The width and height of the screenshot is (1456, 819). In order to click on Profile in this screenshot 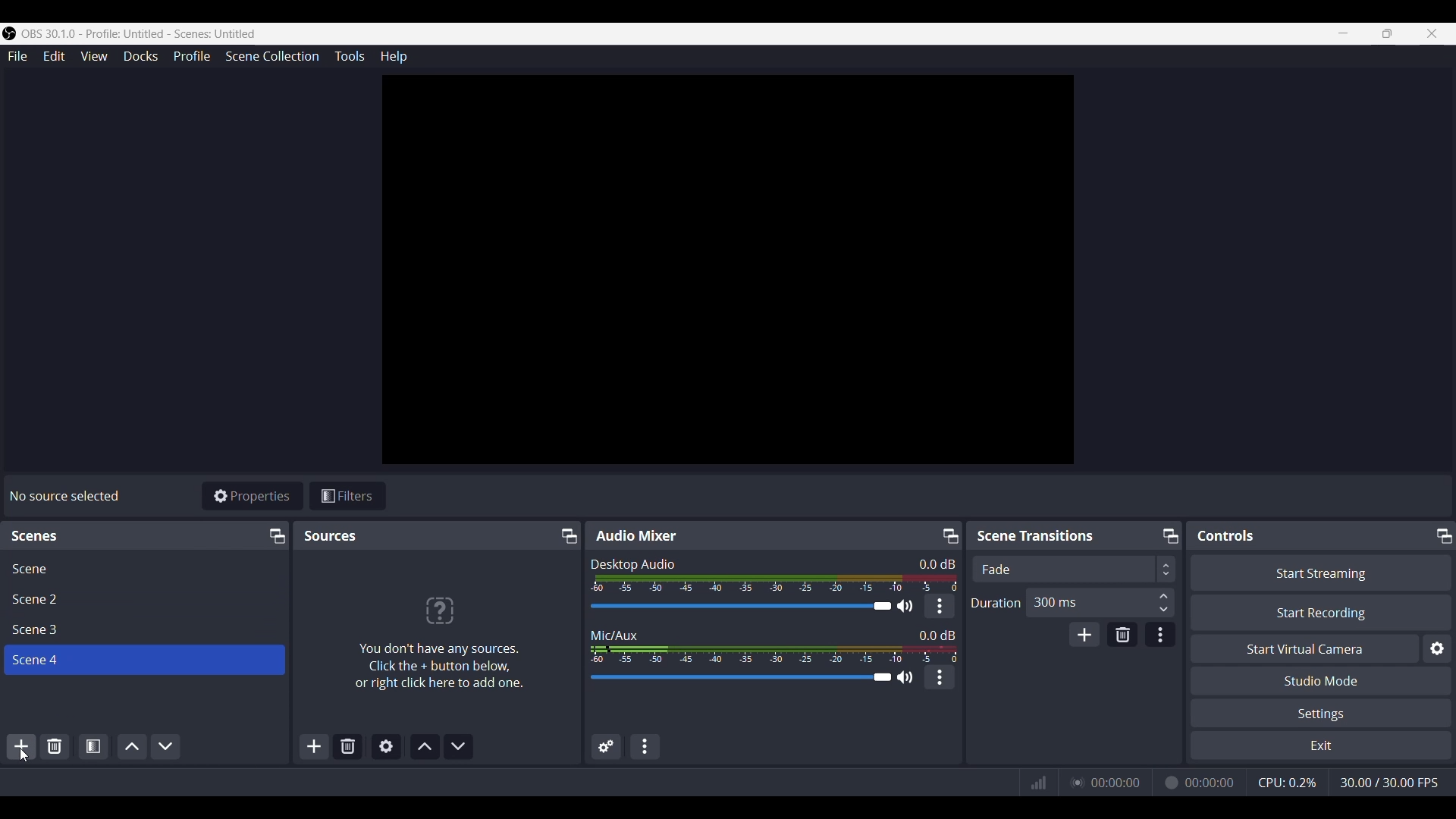, I will do `click(192, 56)`.